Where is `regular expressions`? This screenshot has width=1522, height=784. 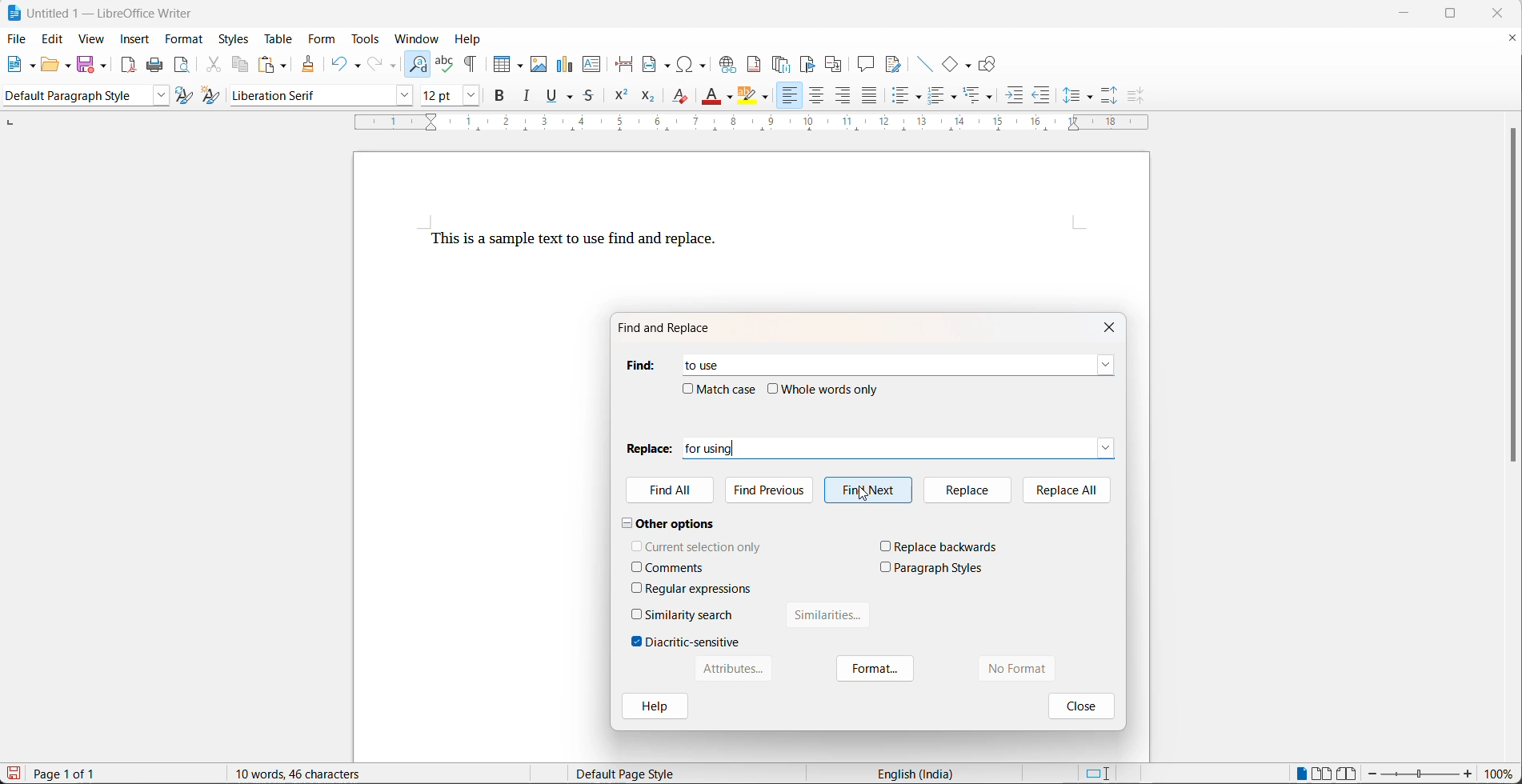 regular expressions is located at coordinates (700, 589).